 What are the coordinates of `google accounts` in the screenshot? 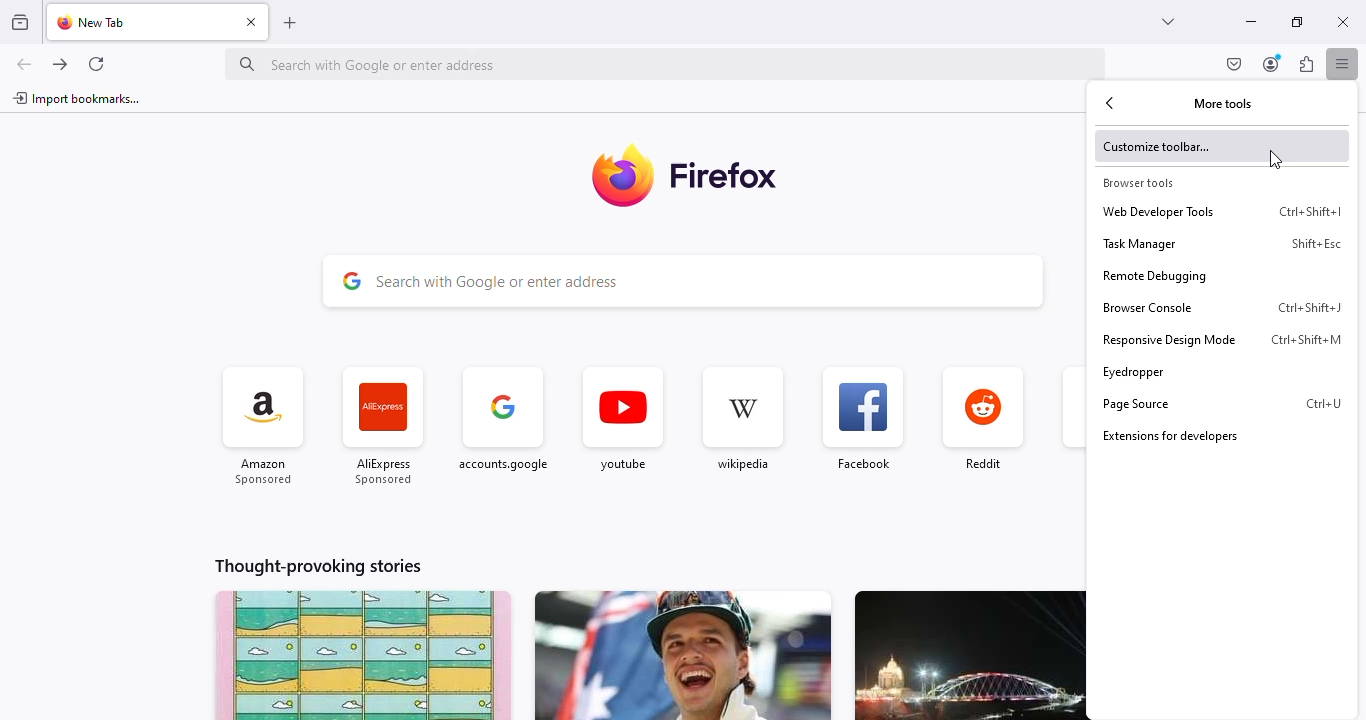 It's located at (504, 426).